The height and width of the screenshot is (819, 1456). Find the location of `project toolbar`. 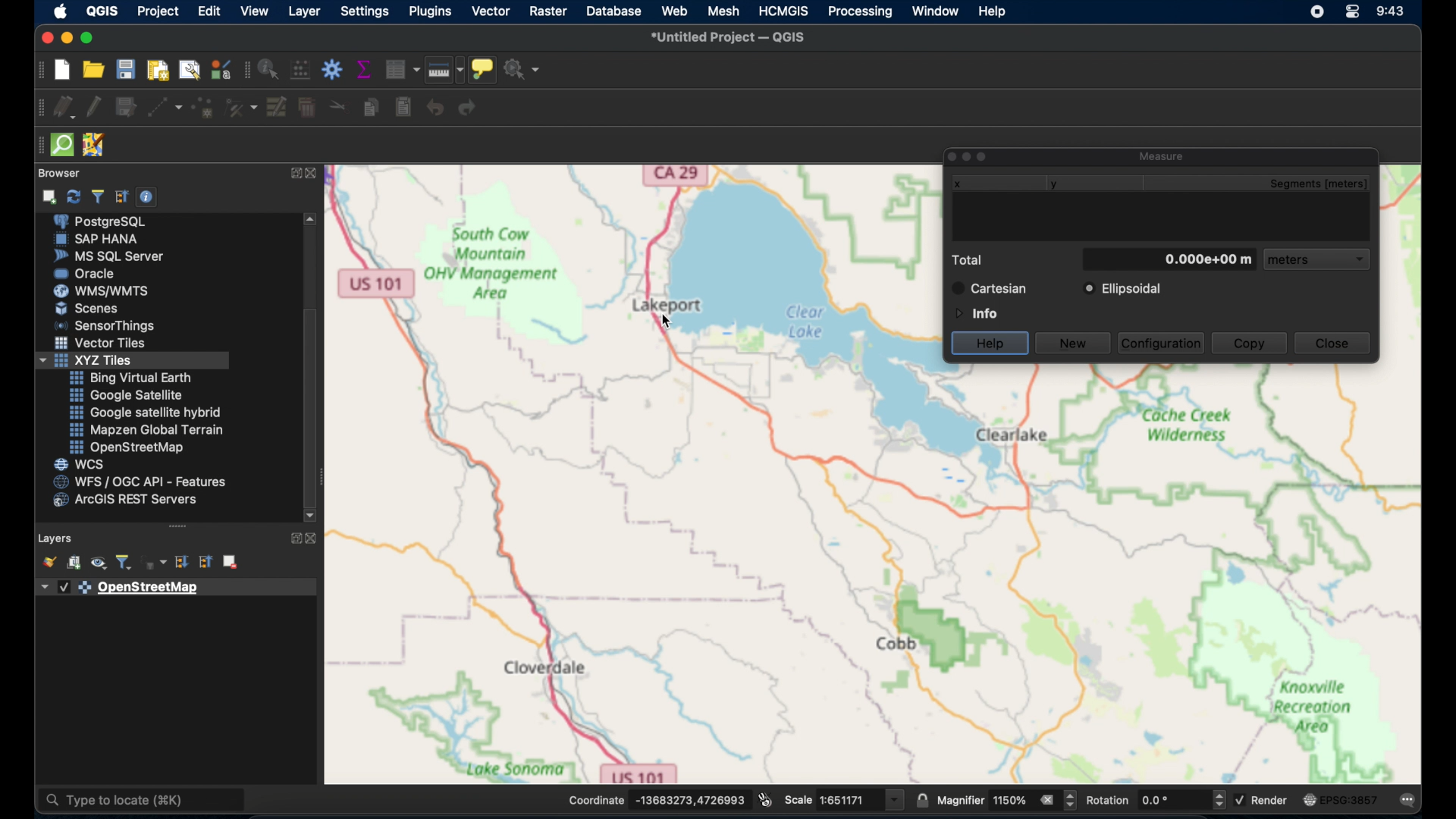

project toolbar is located at coordinates (38, 71).